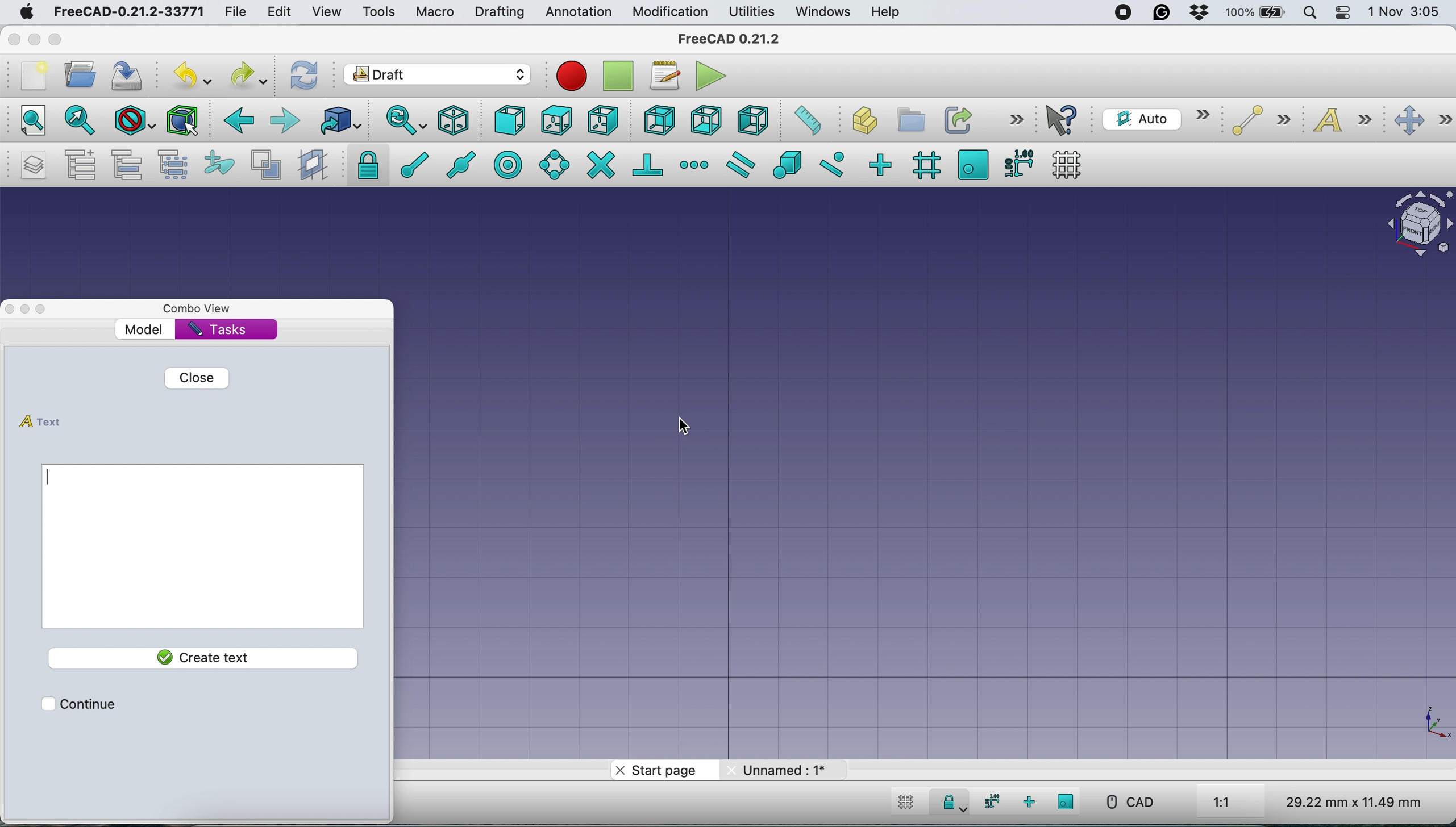 The image size is (1456, 827). Describe the element at coordinates (78, 73) in the screenshot. I see `open` at that location.